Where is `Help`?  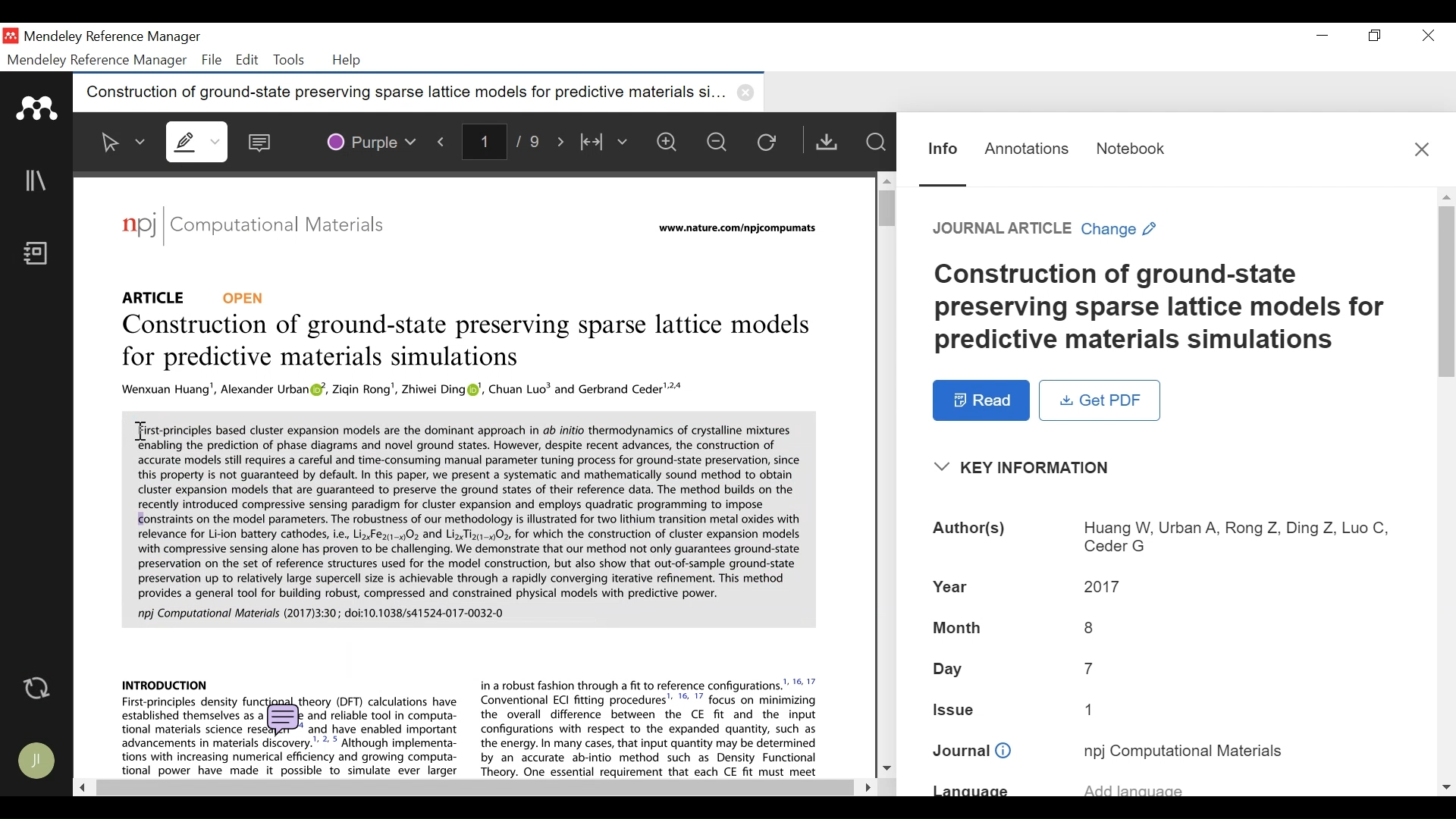 Help is located at coordinates (348, 61).